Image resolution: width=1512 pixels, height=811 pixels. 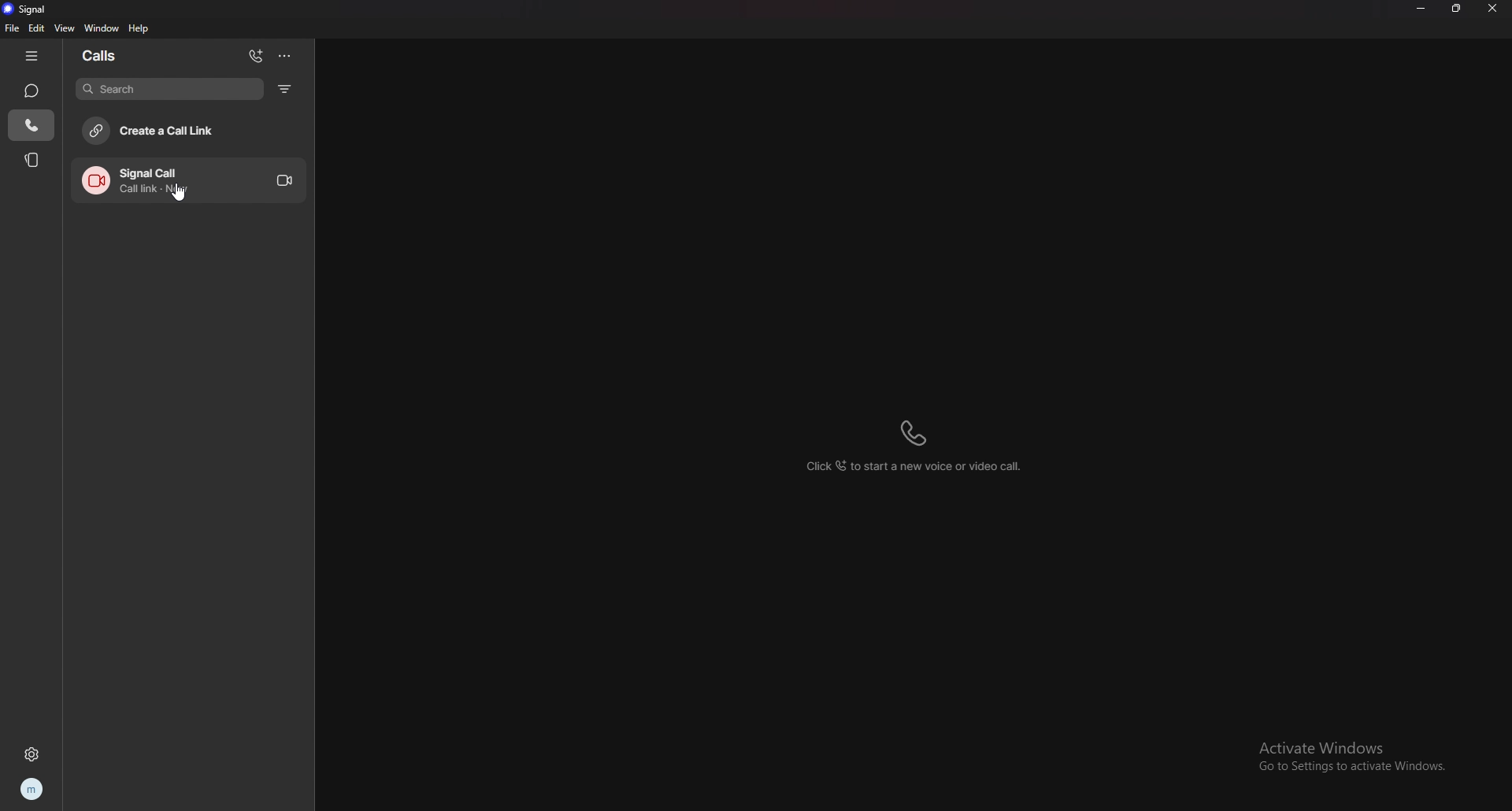 I want to click on click to start a new voice or video call, so click(x=914, y=448).